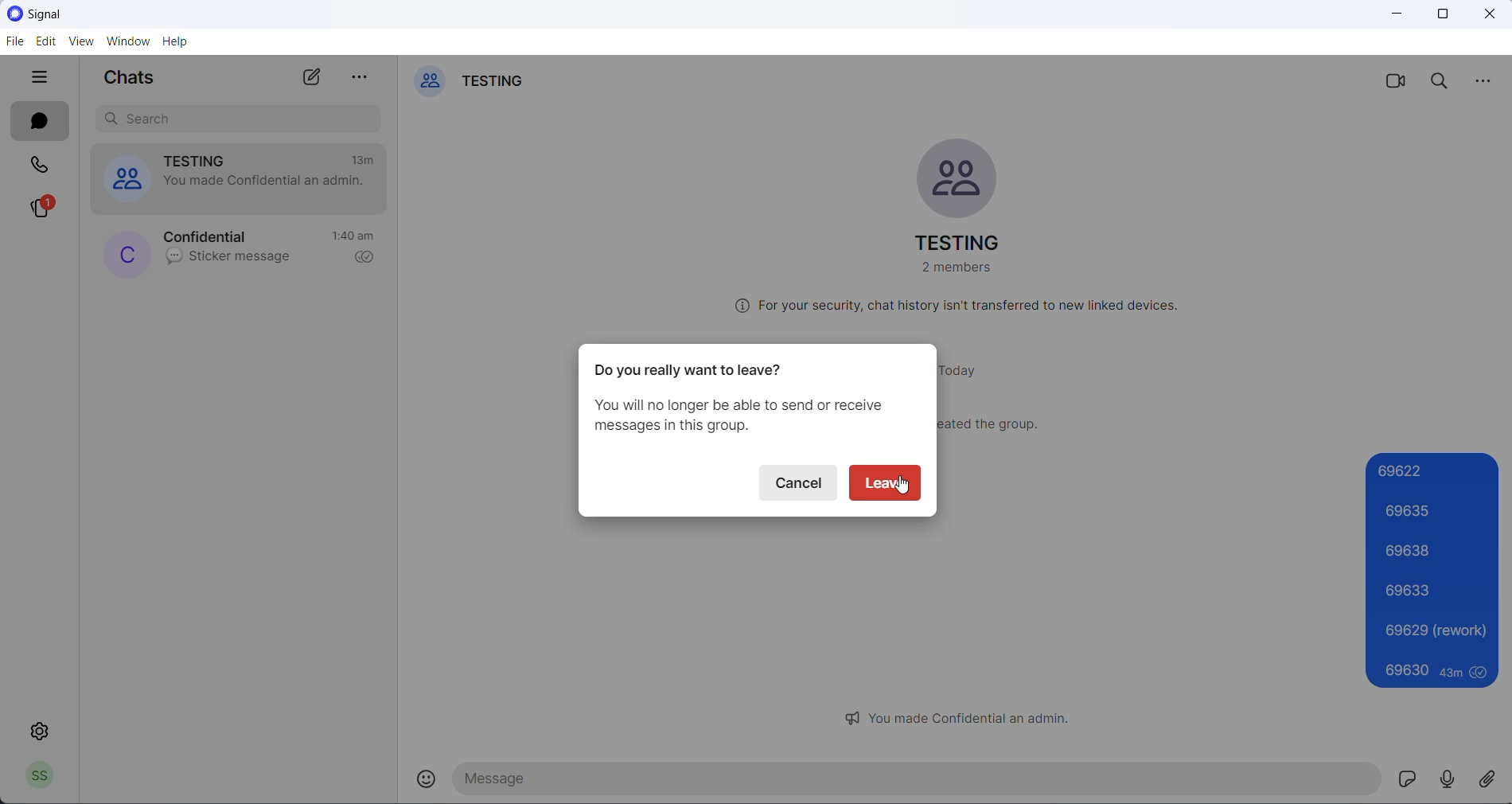 This screenshot has width=1512, height=804. What do you see at coordinates (995, 423) in the screenshot?
I see `group creator` at bounding box center [995, 423].